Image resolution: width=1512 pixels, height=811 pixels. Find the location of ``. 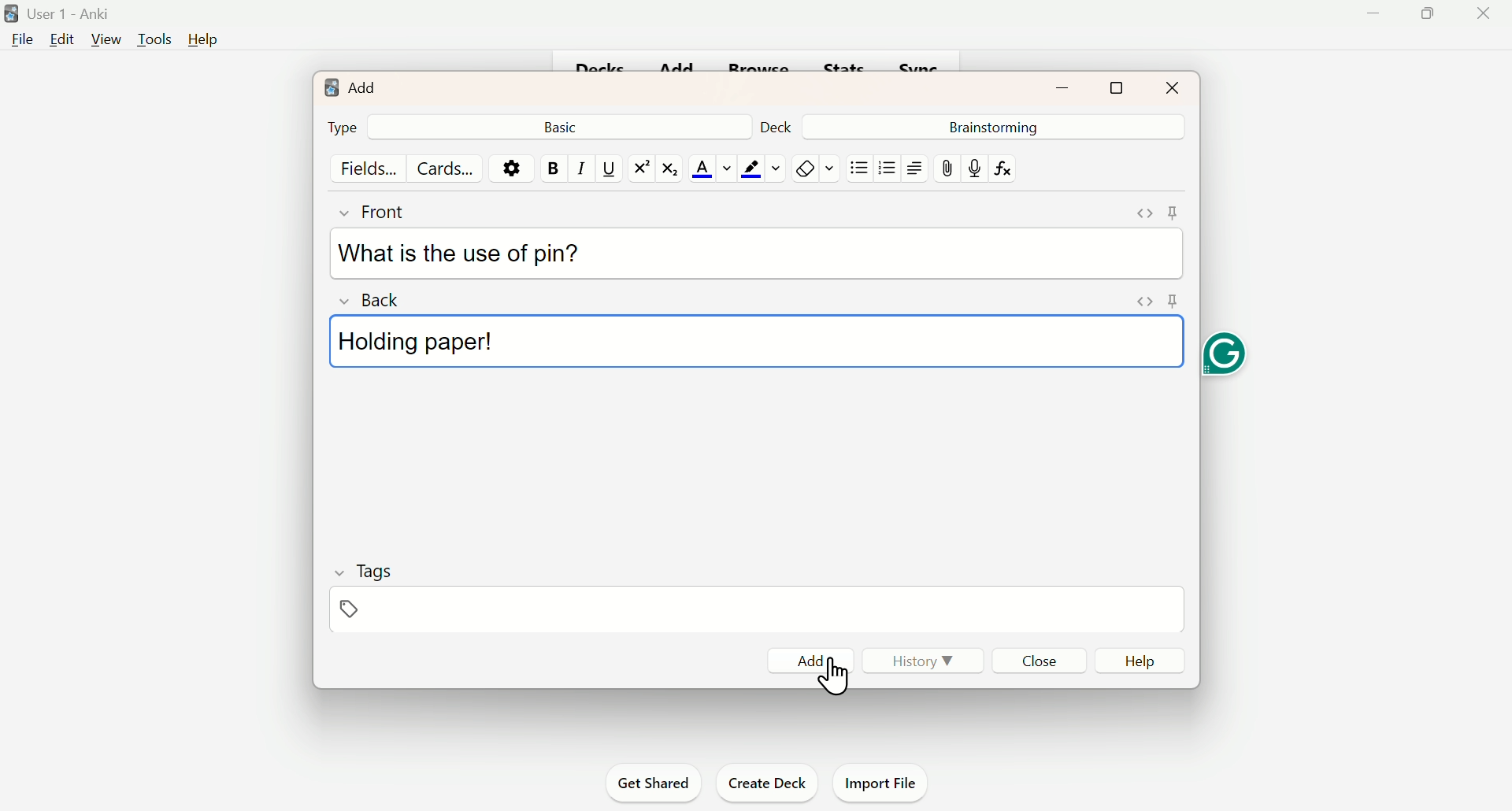

 is located at coordinates (832, 168).